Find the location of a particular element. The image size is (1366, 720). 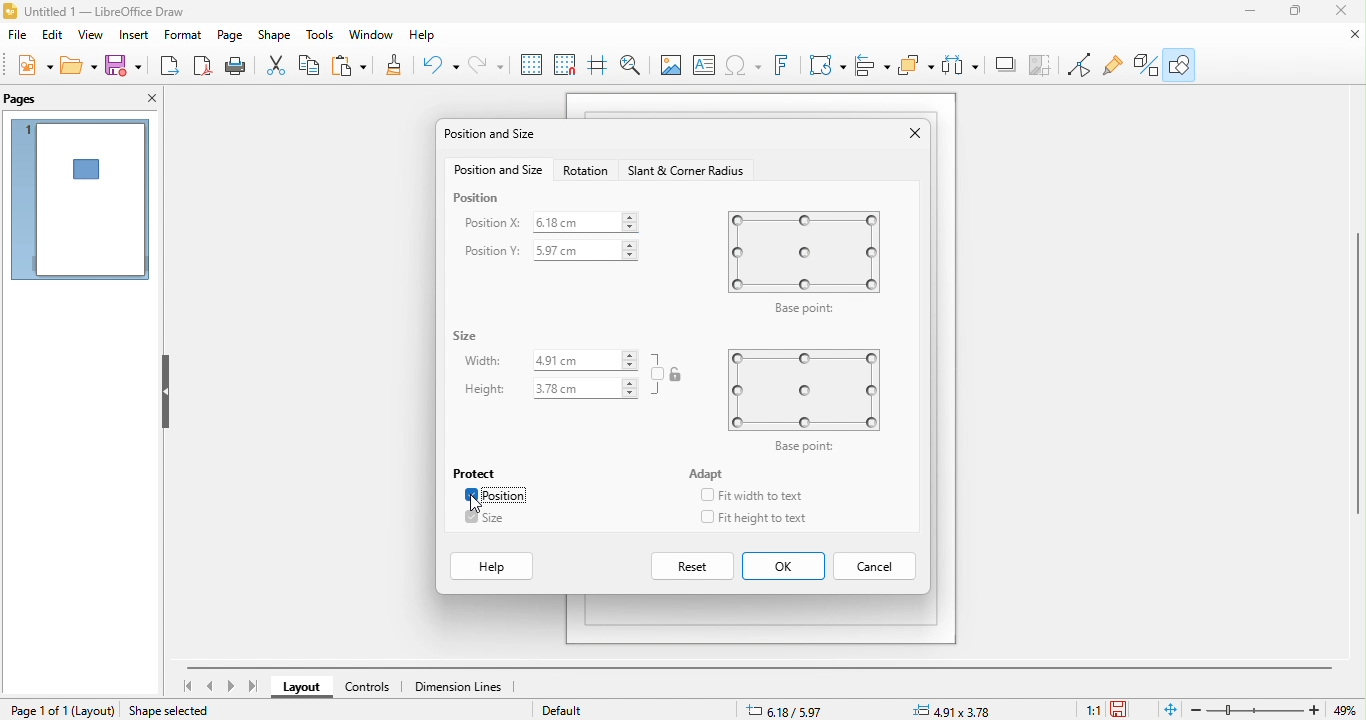

special character is located at coordinates (745, 66).